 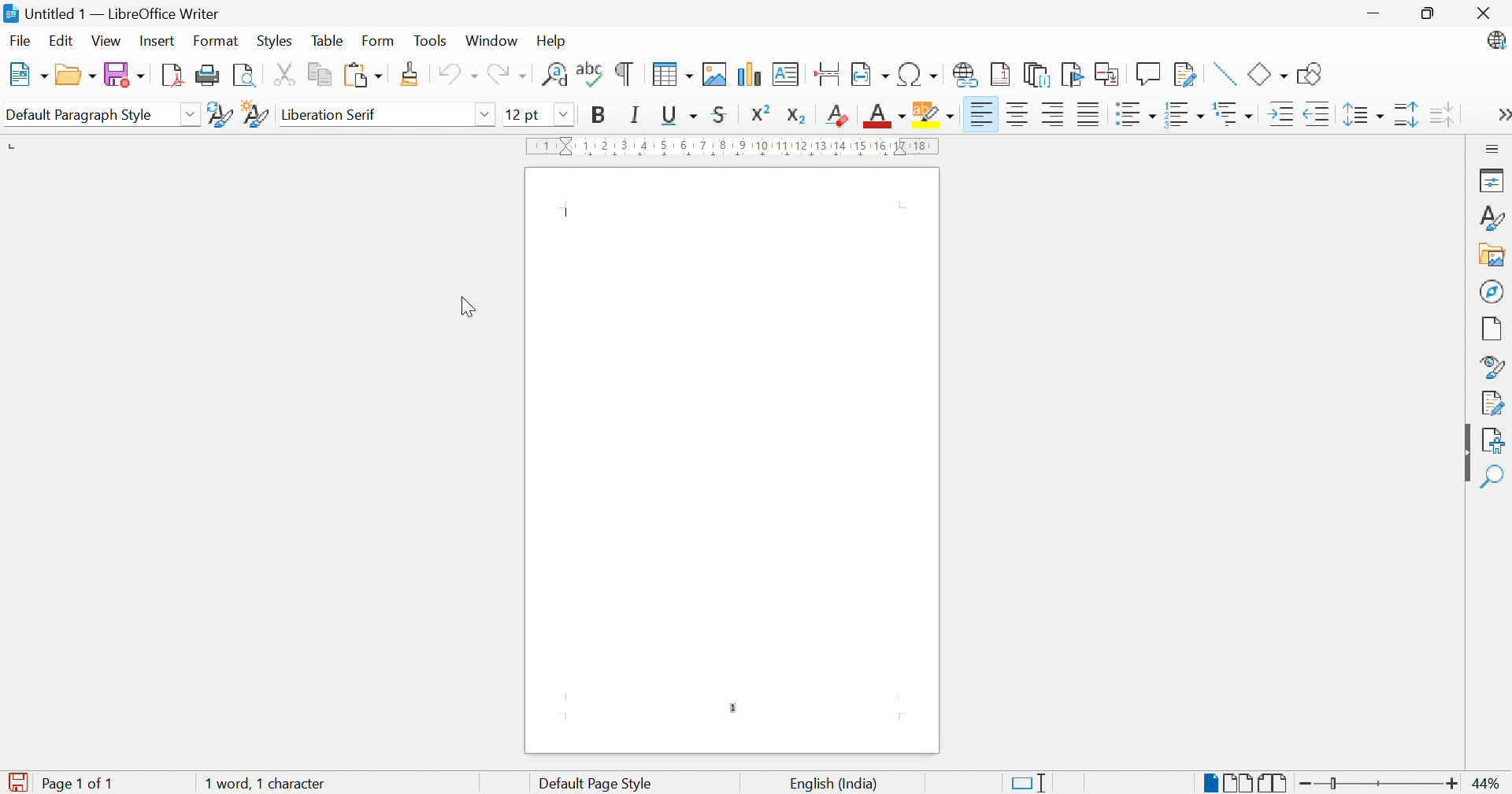 I want to click on Windows, so click(x=492, y=42).